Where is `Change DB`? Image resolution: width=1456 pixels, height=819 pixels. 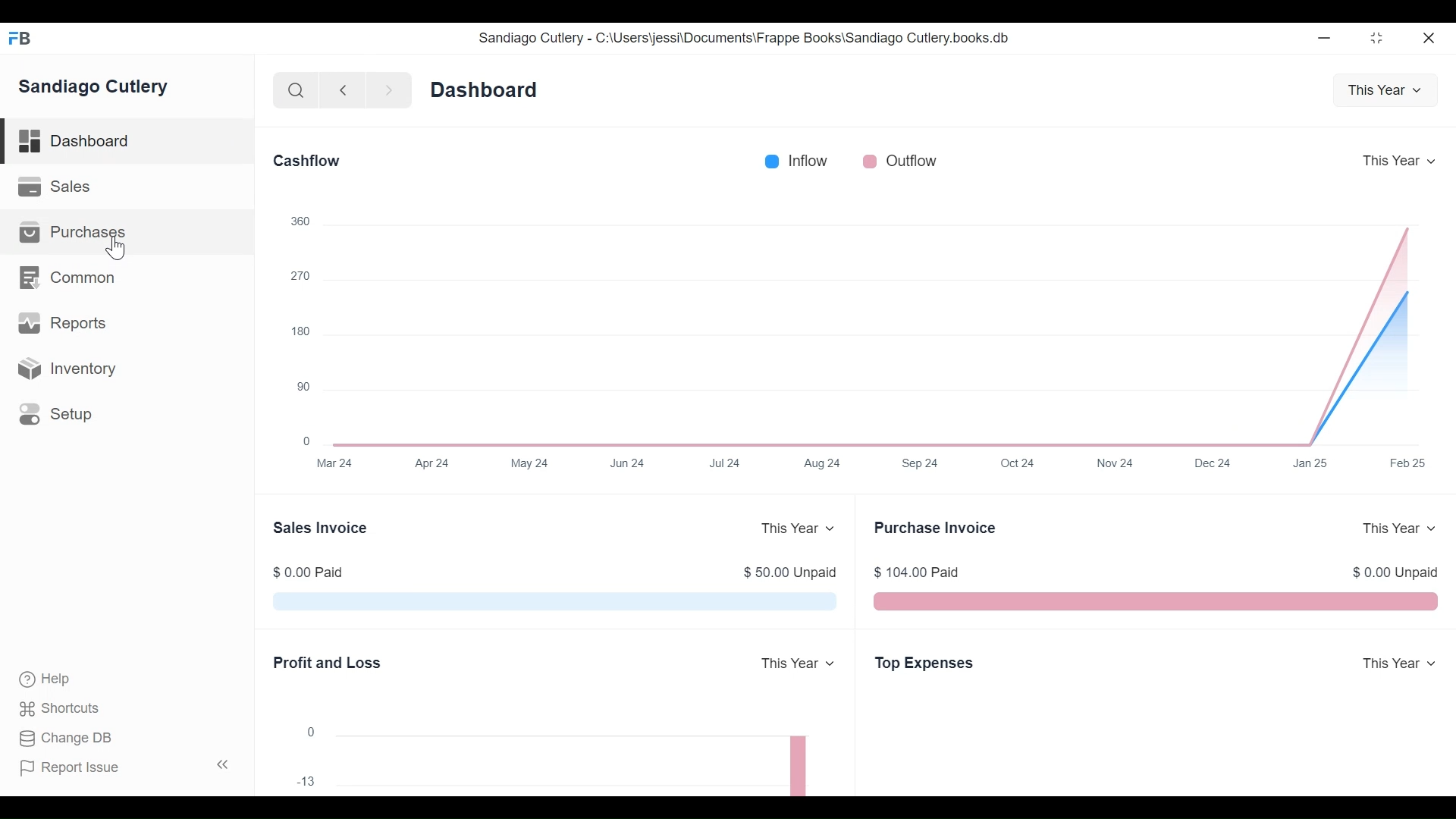
Change DB is located at coordinates (68, 739).